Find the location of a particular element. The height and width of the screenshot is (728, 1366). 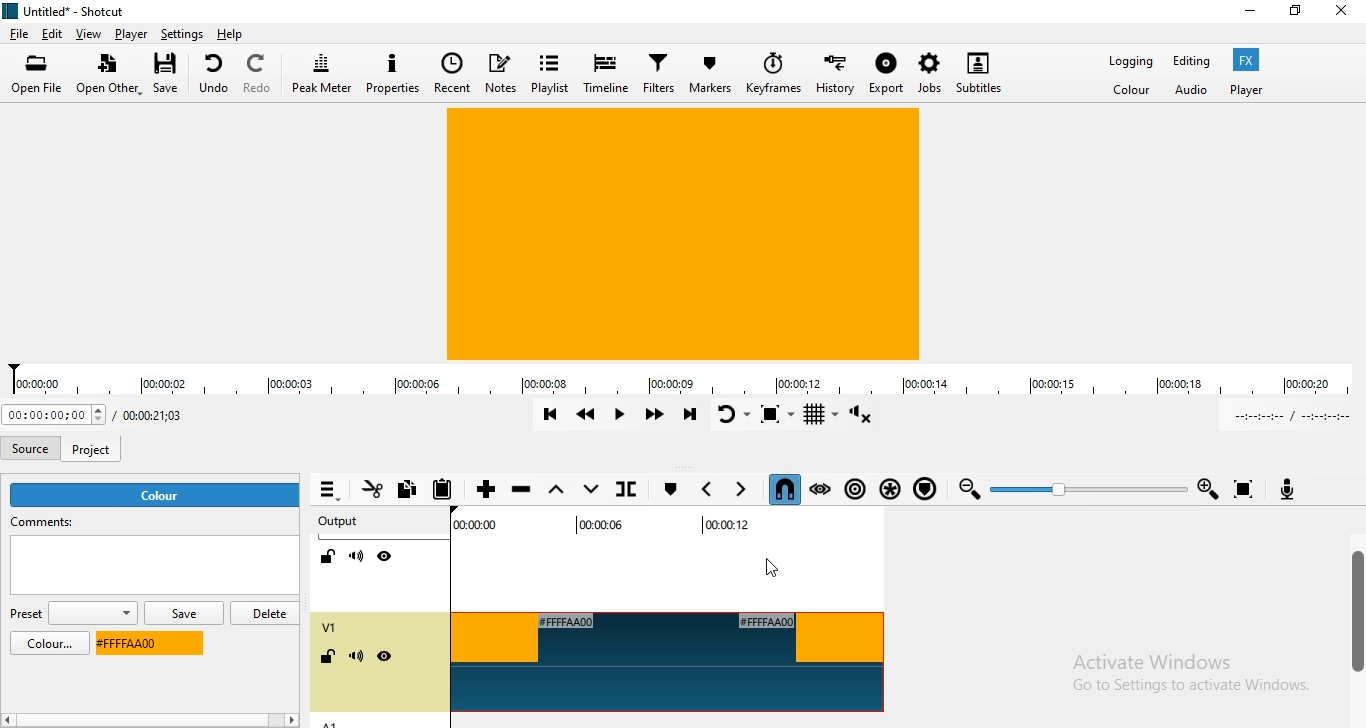

cursor is located at coordinates (783, 569).